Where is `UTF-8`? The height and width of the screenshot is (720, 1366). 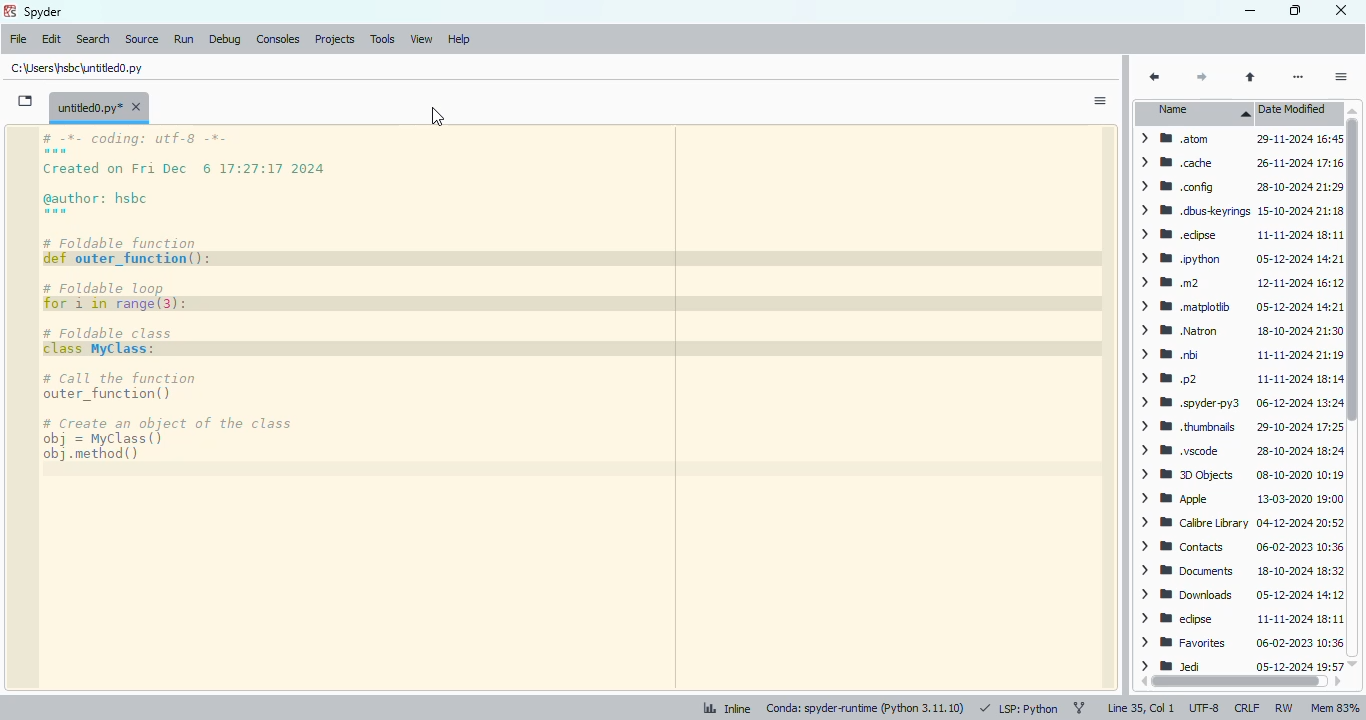 UTF-8 is located at coordinates (1205, 710).